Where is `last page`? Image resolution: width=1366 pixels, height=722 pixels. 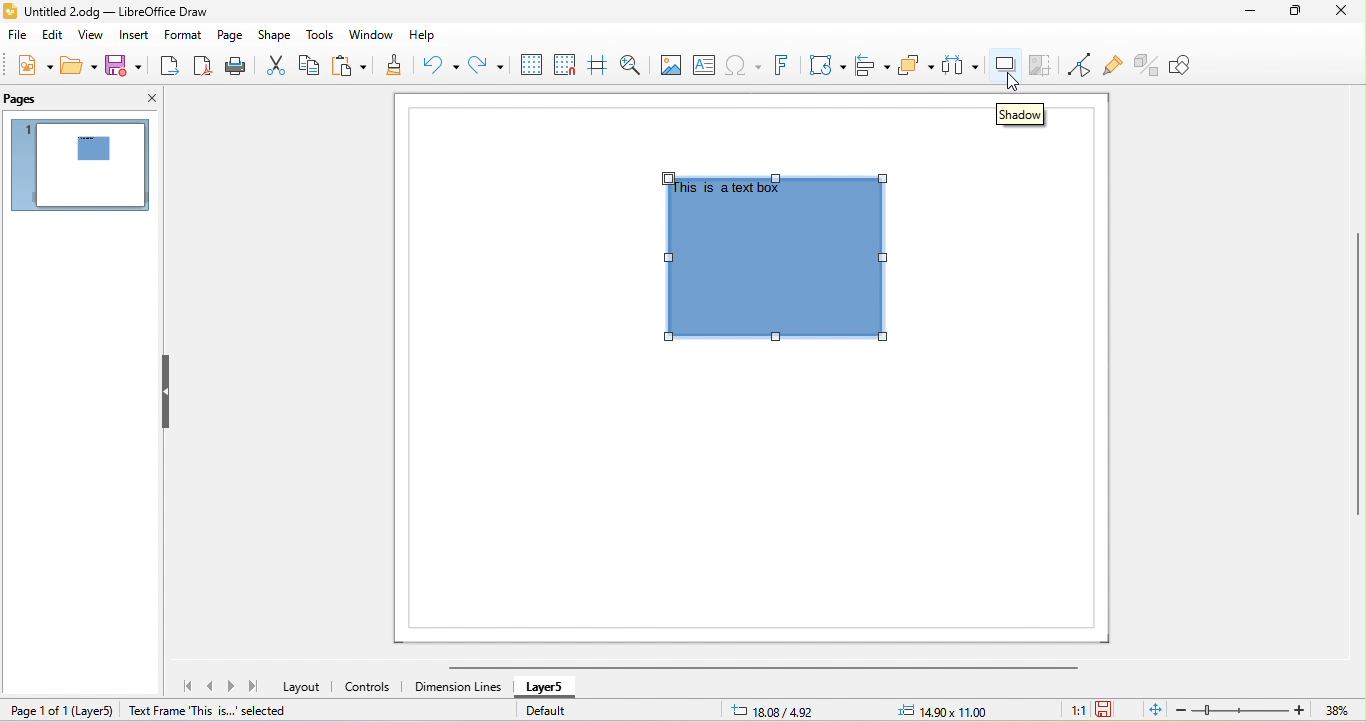
last page is located at coordinates (257, 689).